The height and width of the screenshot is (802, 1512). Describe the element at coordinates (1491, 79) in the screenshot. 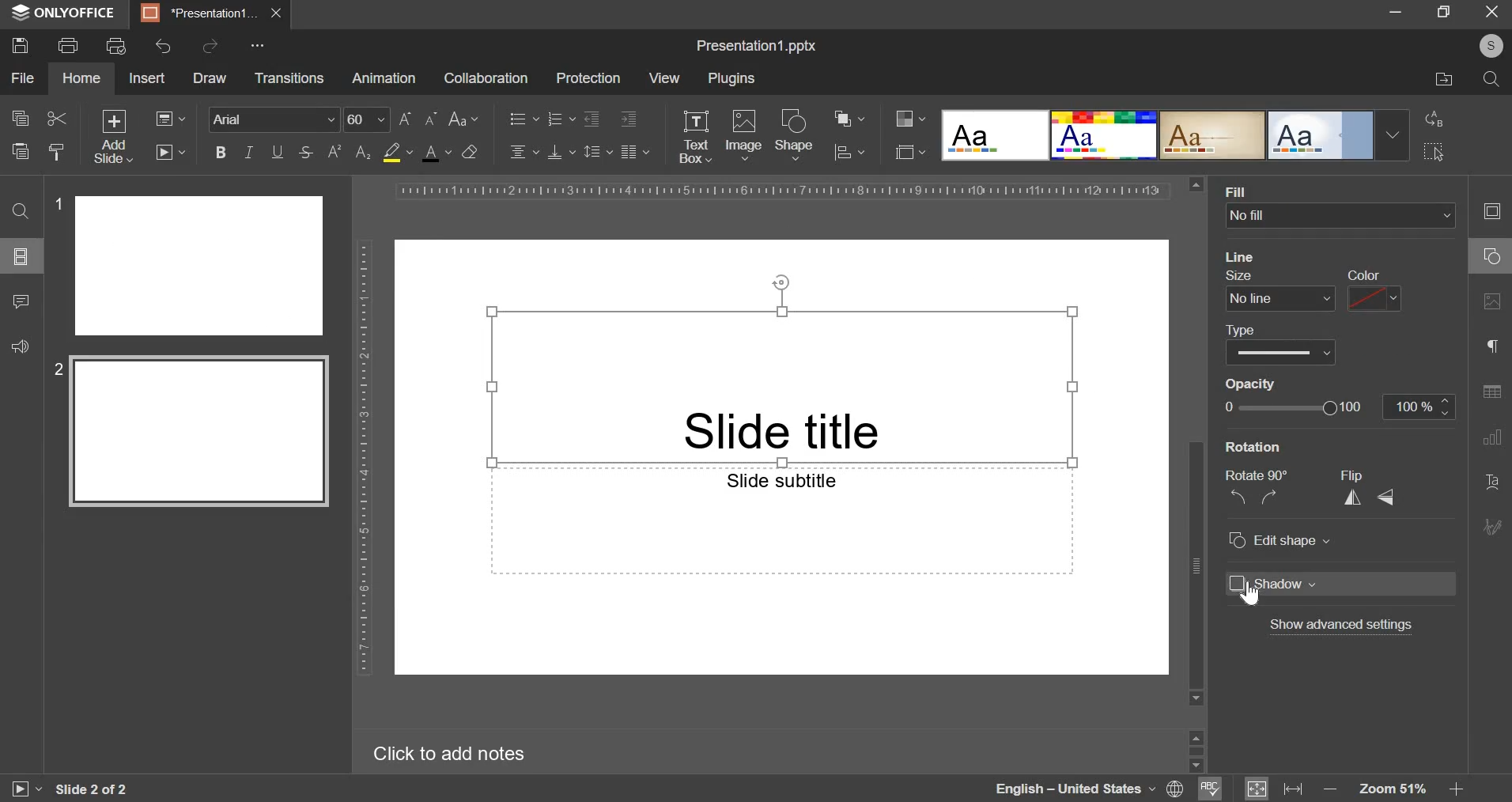

I see `search` at that location.